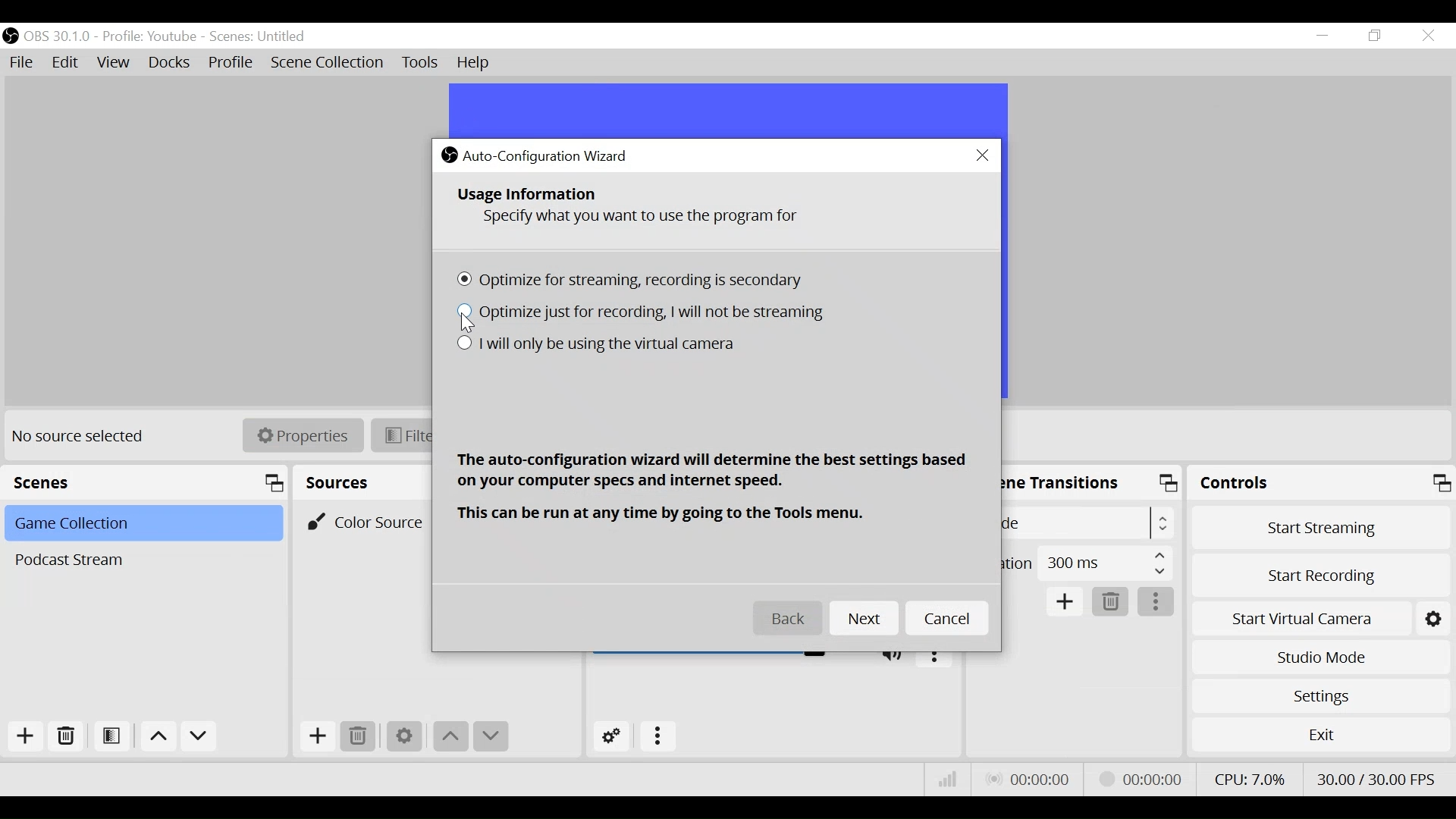  Describe the element at coordinates (477, 63) in the screenshot. I see `Help` at that location.